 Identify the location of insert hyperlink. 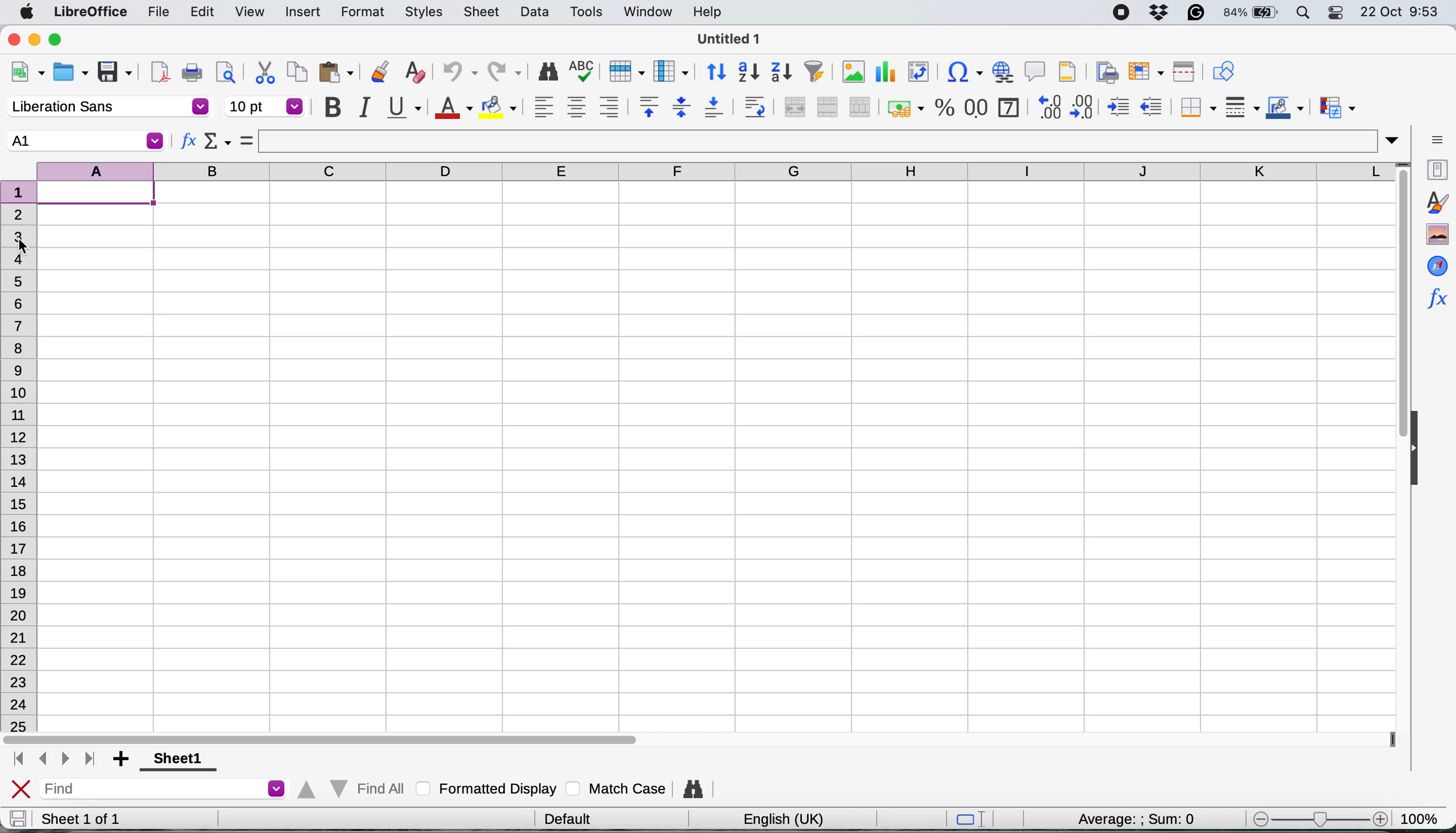
(960, 74).